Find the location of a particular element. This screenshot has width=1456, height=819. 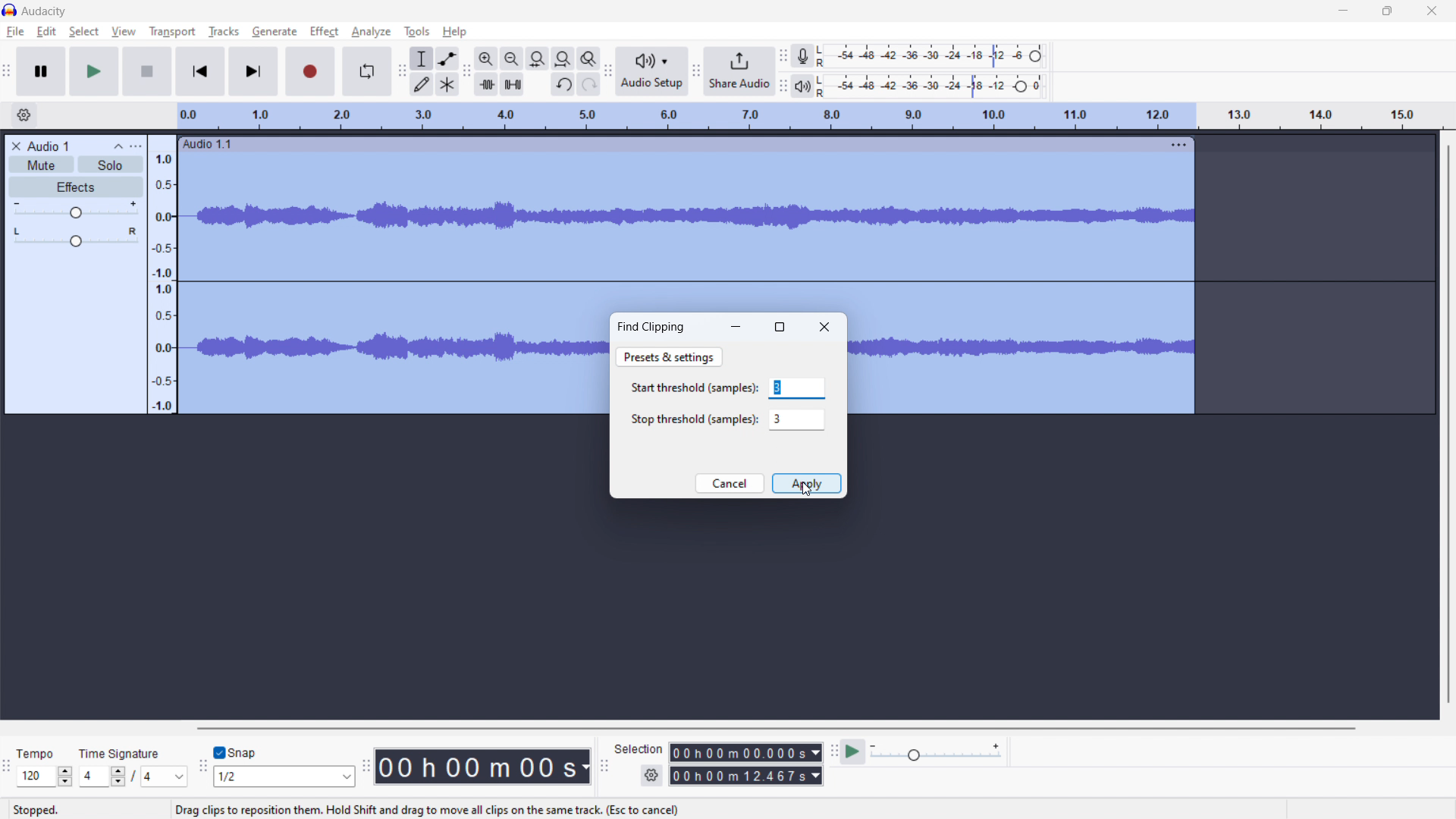

play at speed is located at coordinates (853, 752).